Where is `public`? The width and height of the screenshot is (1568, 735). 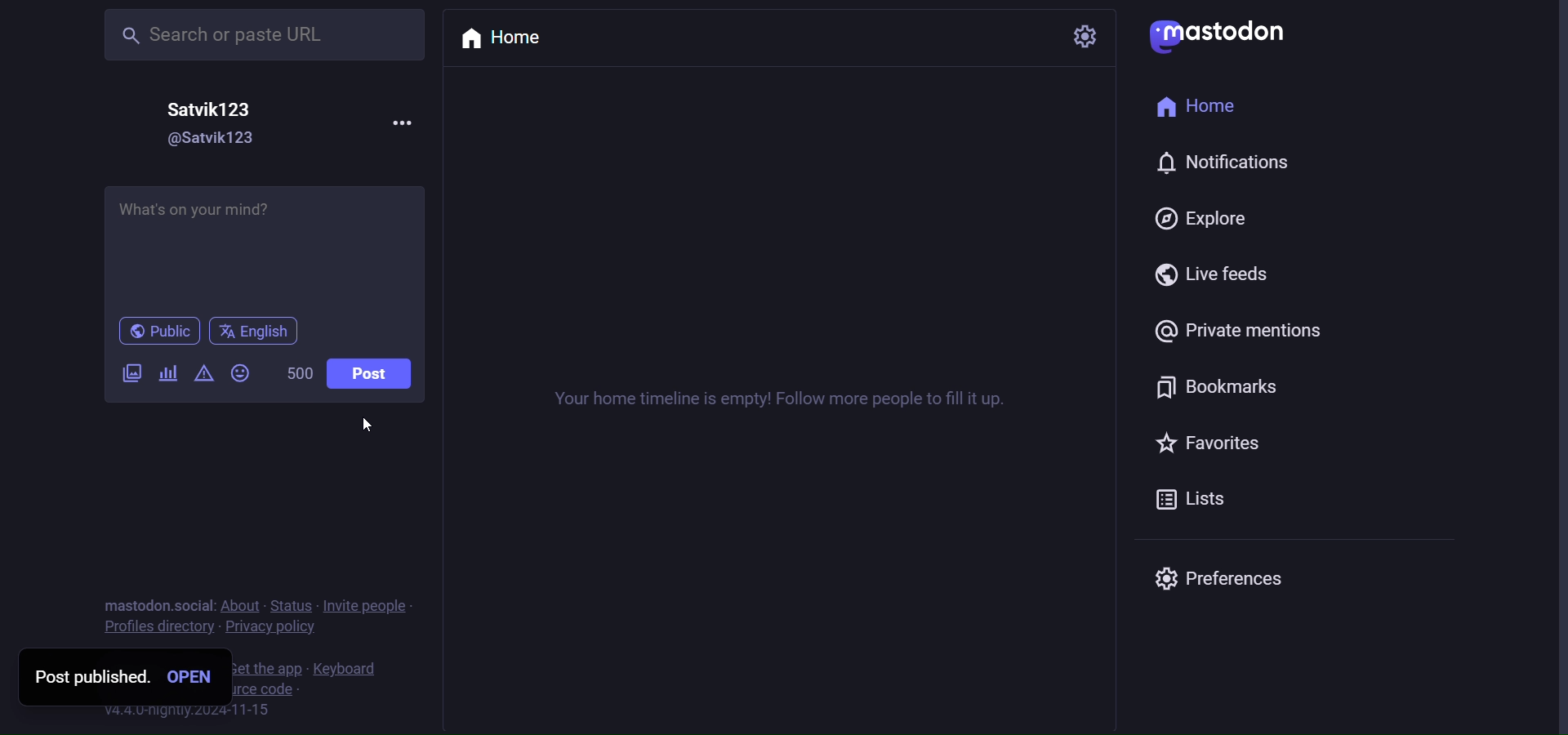
public is located at coordinates (158, 332).